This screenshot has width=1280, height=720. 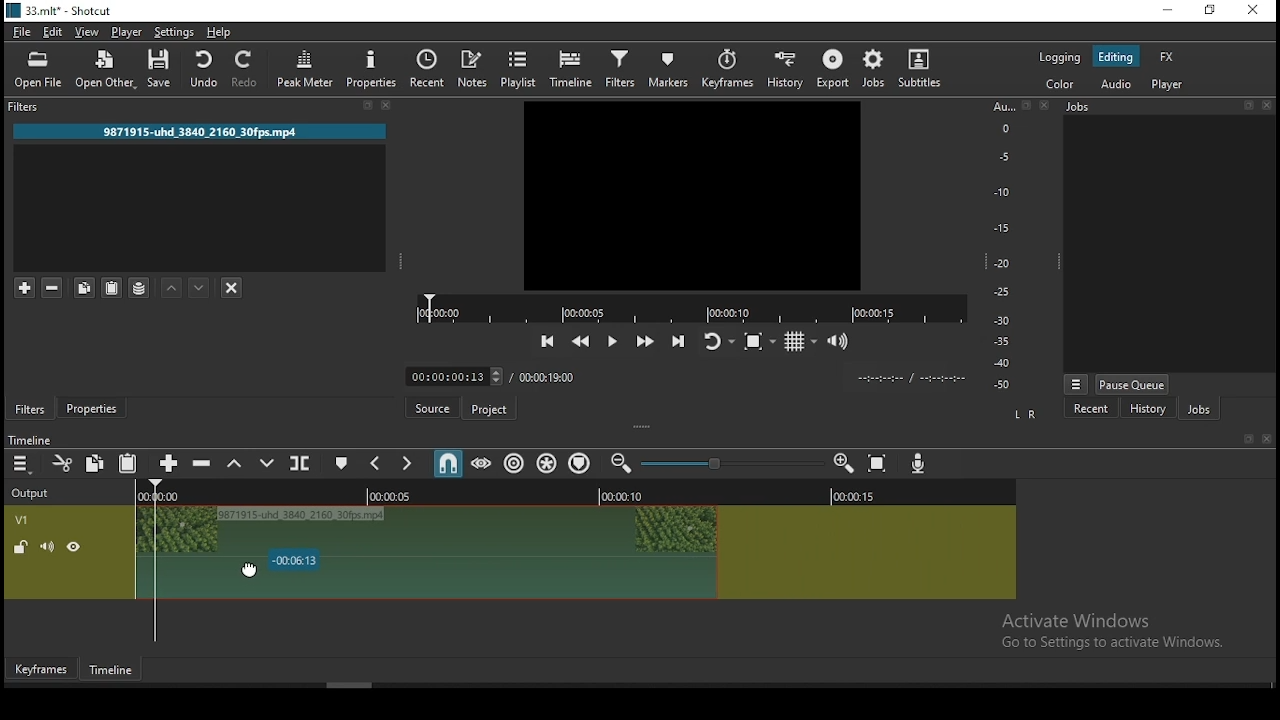 I want to click on close, so click(x=385, y=105).